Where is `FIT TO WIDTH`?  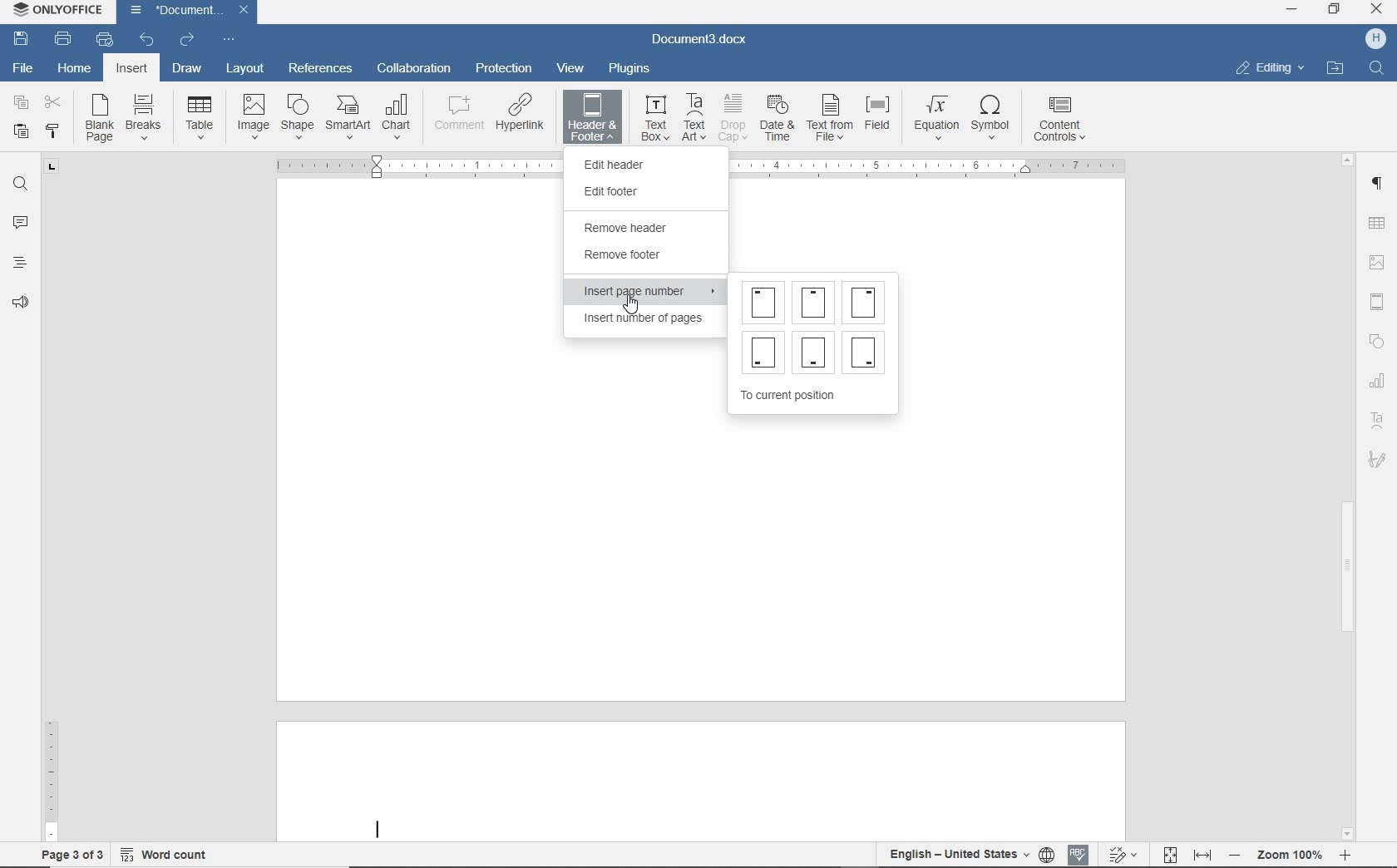 FIT TO WIDTH is located at coordinates (1202, 855).